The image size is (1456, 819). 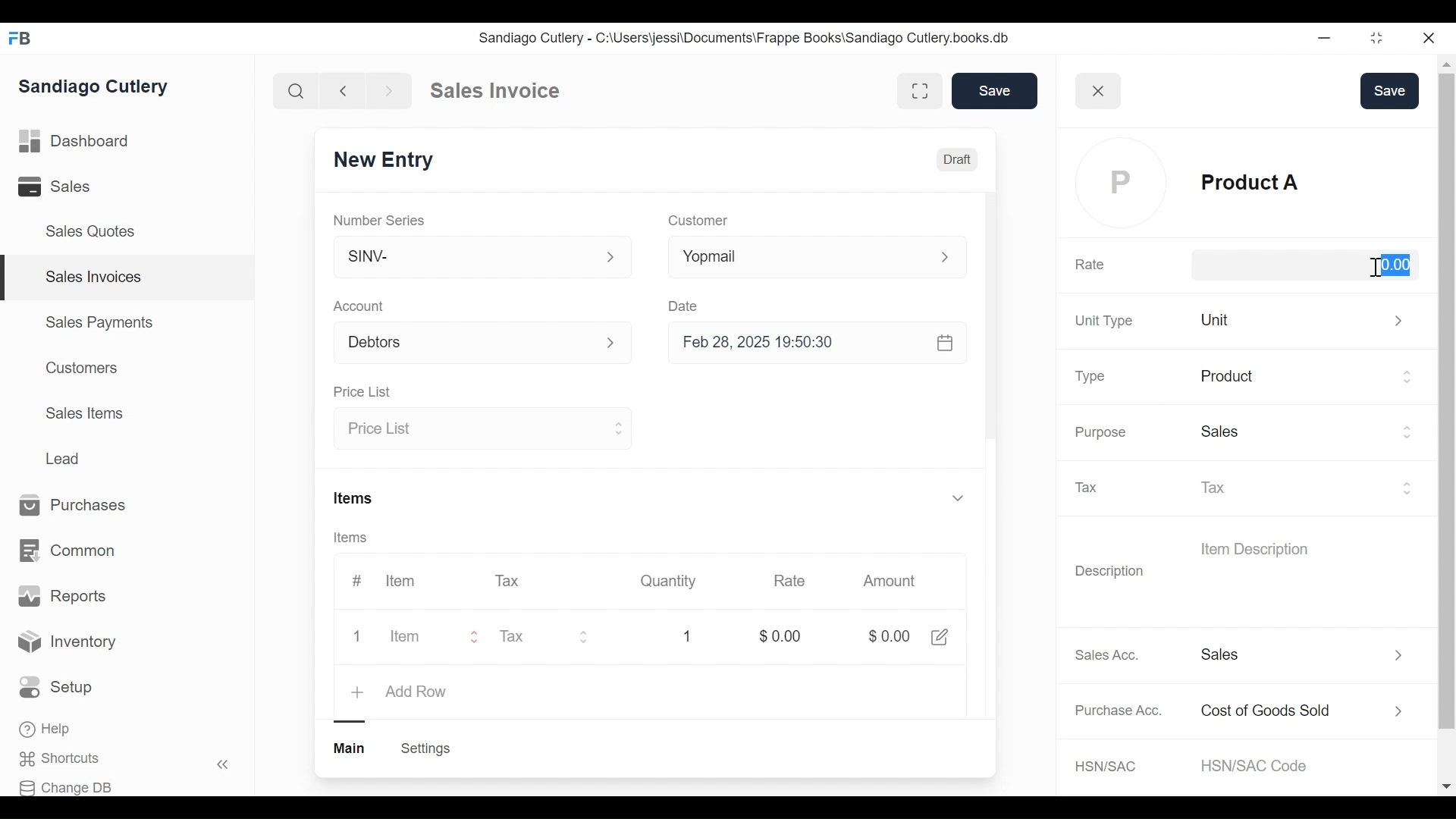 I want to click on Sandiago Cutlery, so click(x=98, y=86).